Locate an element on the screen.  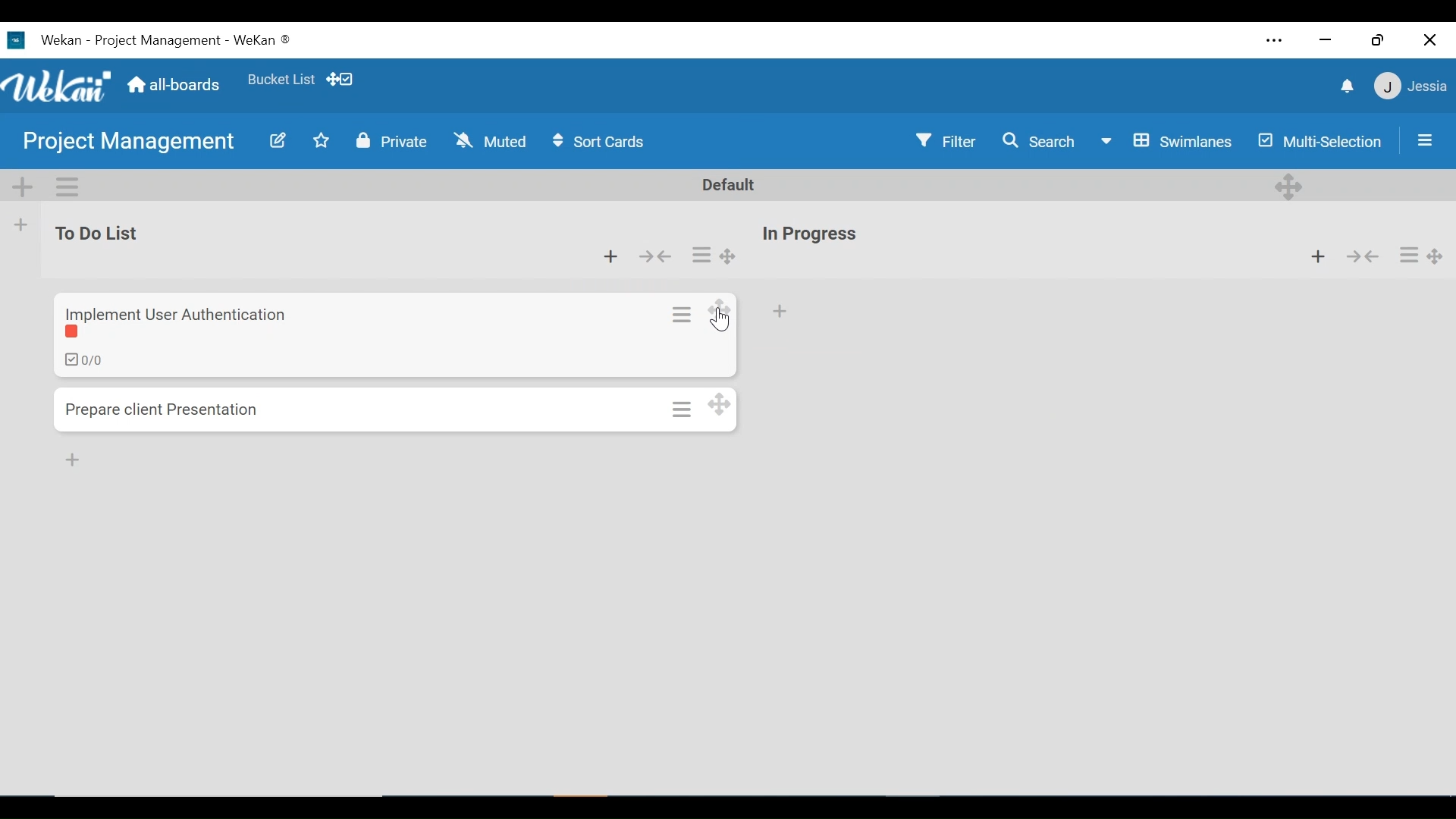
Add card to bottom of list is located at coordinates (70, 460).